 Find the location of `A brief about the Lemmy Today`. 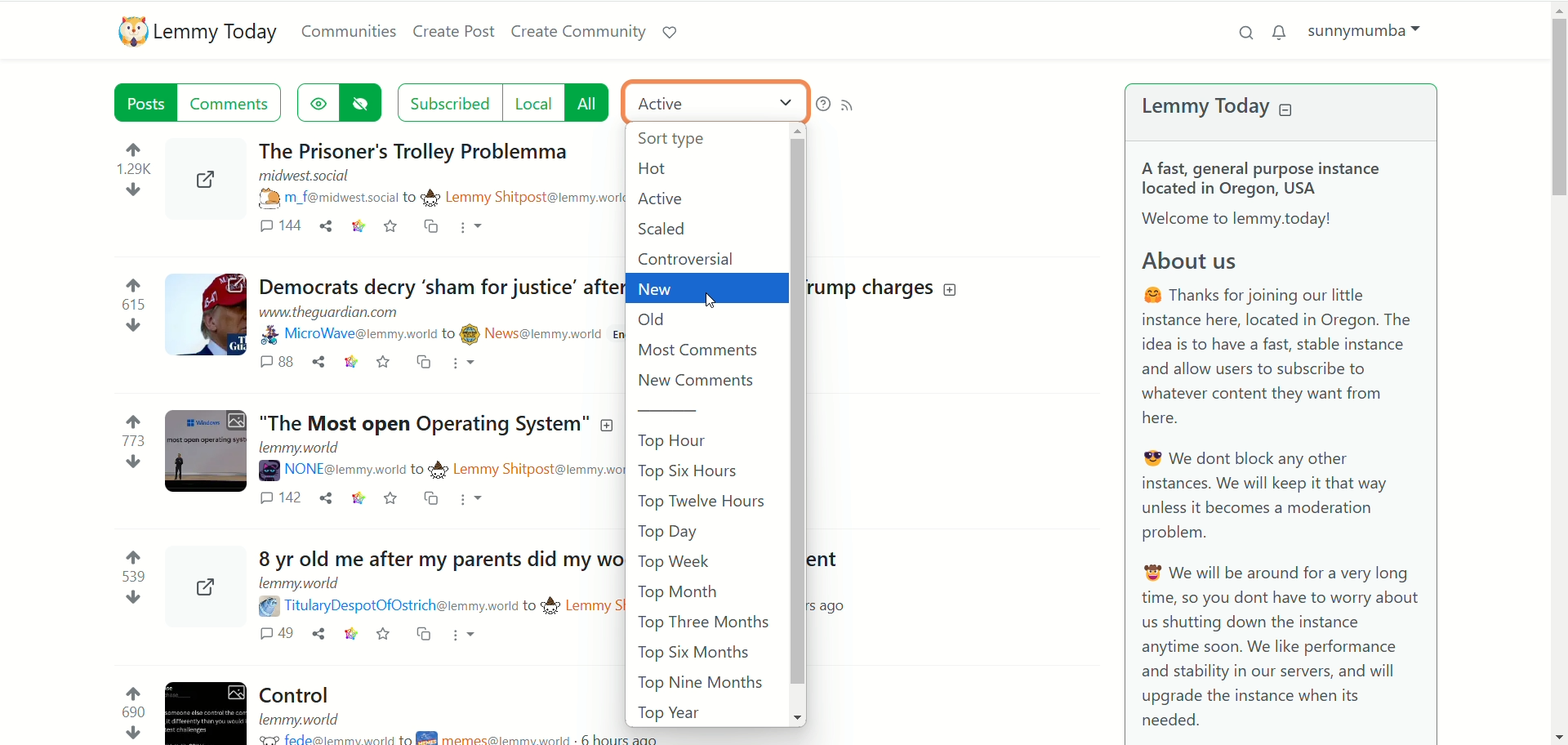

A brief about the Lemmy Today is located at coordinates (1281, 442).